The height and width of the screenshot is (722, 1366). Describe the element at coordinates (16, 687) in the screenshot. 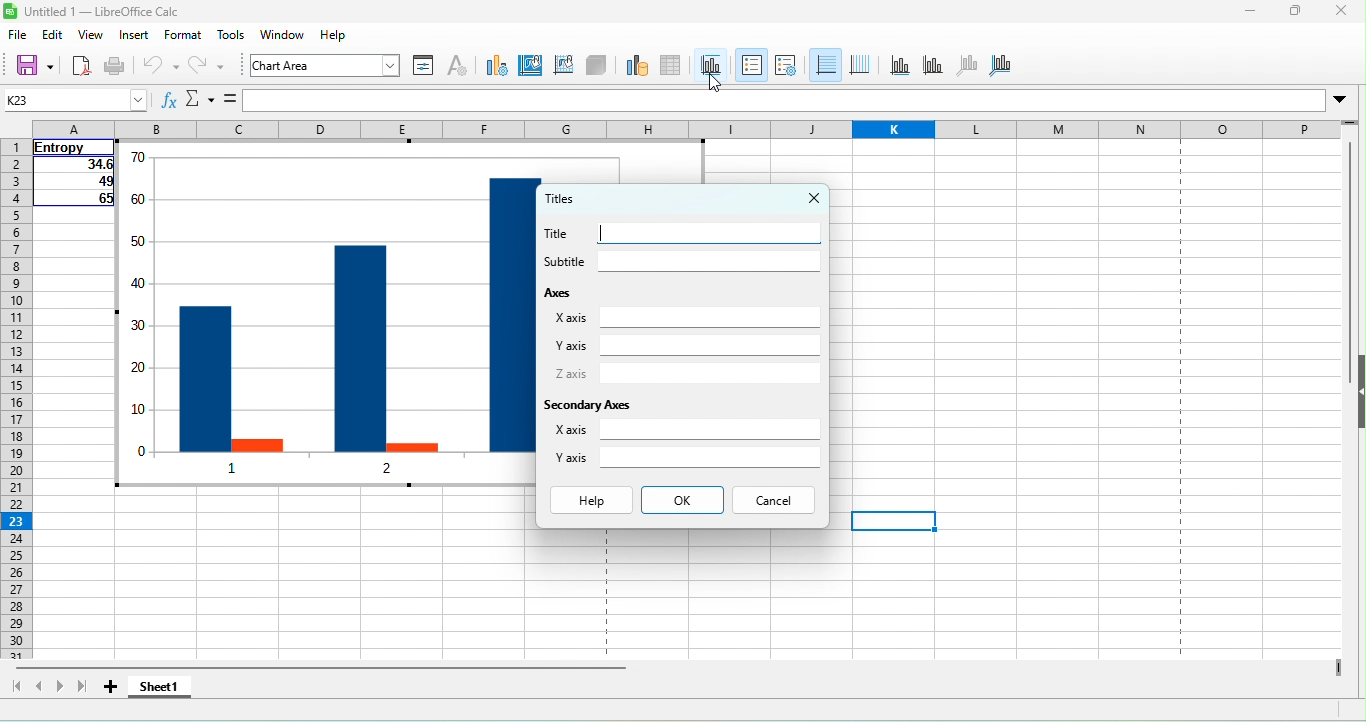

I see `scroll to first sheet` at that location.